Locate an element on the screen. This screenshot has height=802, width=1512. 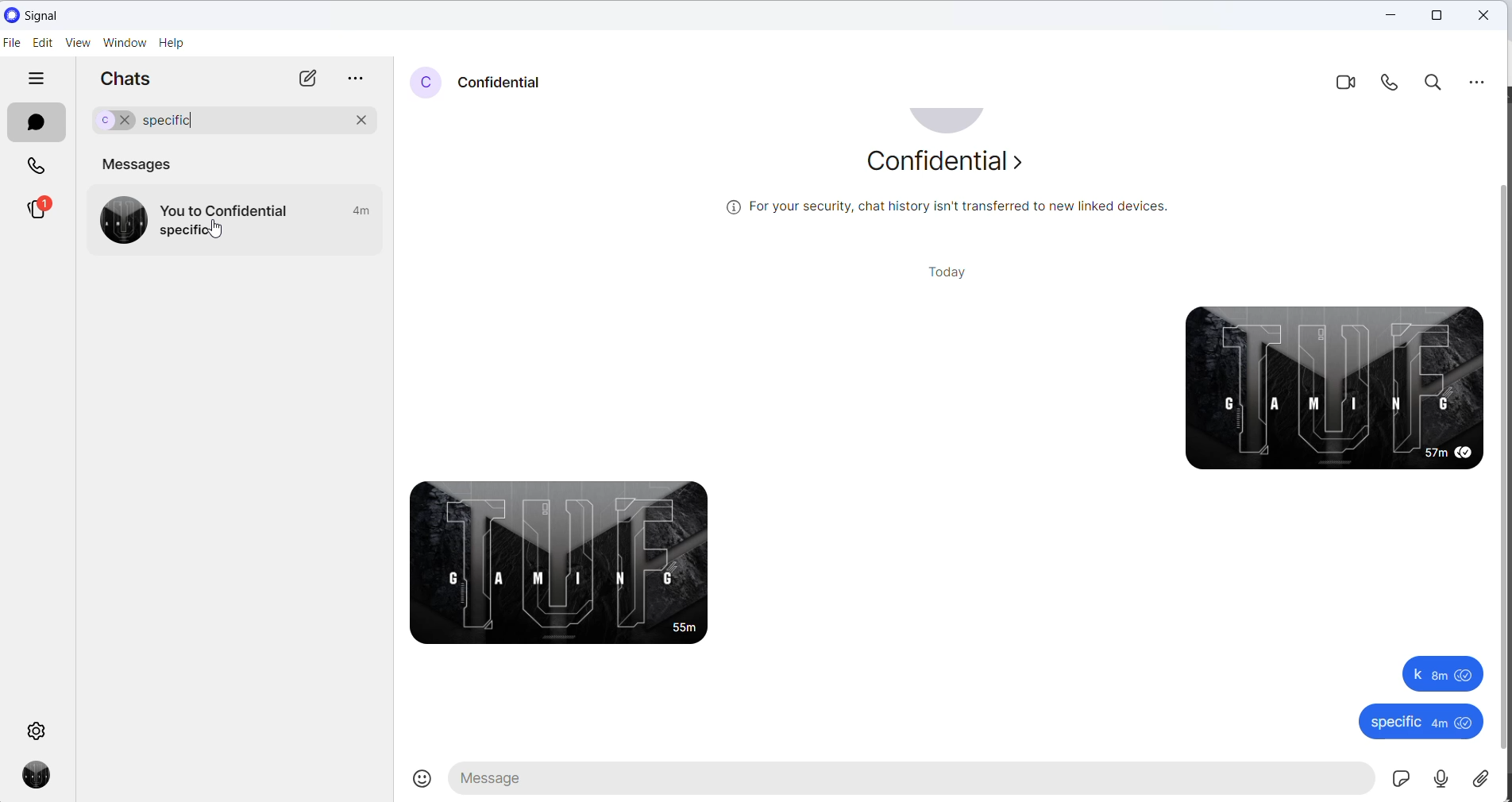
today heading is located at coordinates (949, 271).